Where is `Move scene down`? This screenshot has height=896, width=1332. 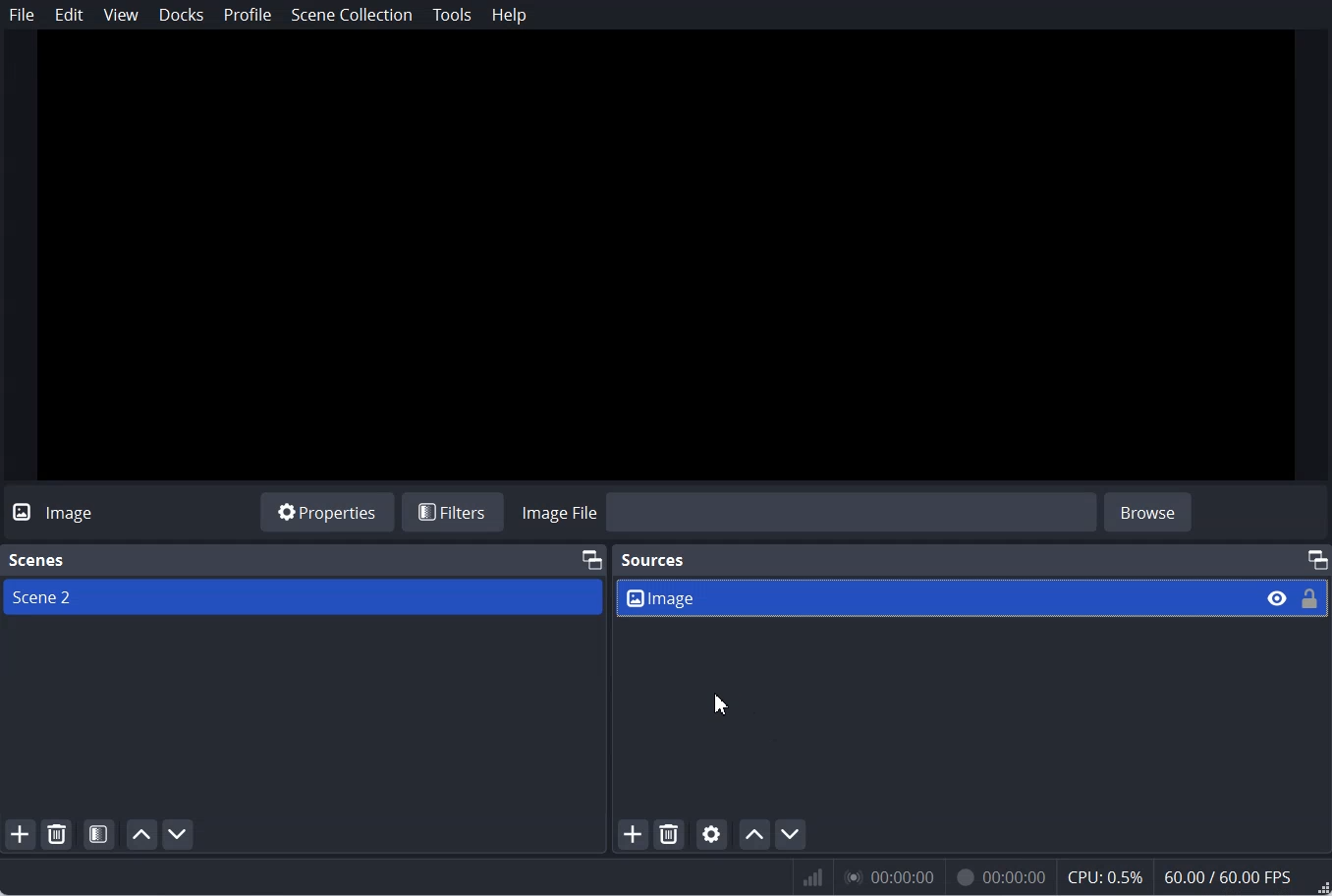 Move scene down is located at coordinates (178, 834).